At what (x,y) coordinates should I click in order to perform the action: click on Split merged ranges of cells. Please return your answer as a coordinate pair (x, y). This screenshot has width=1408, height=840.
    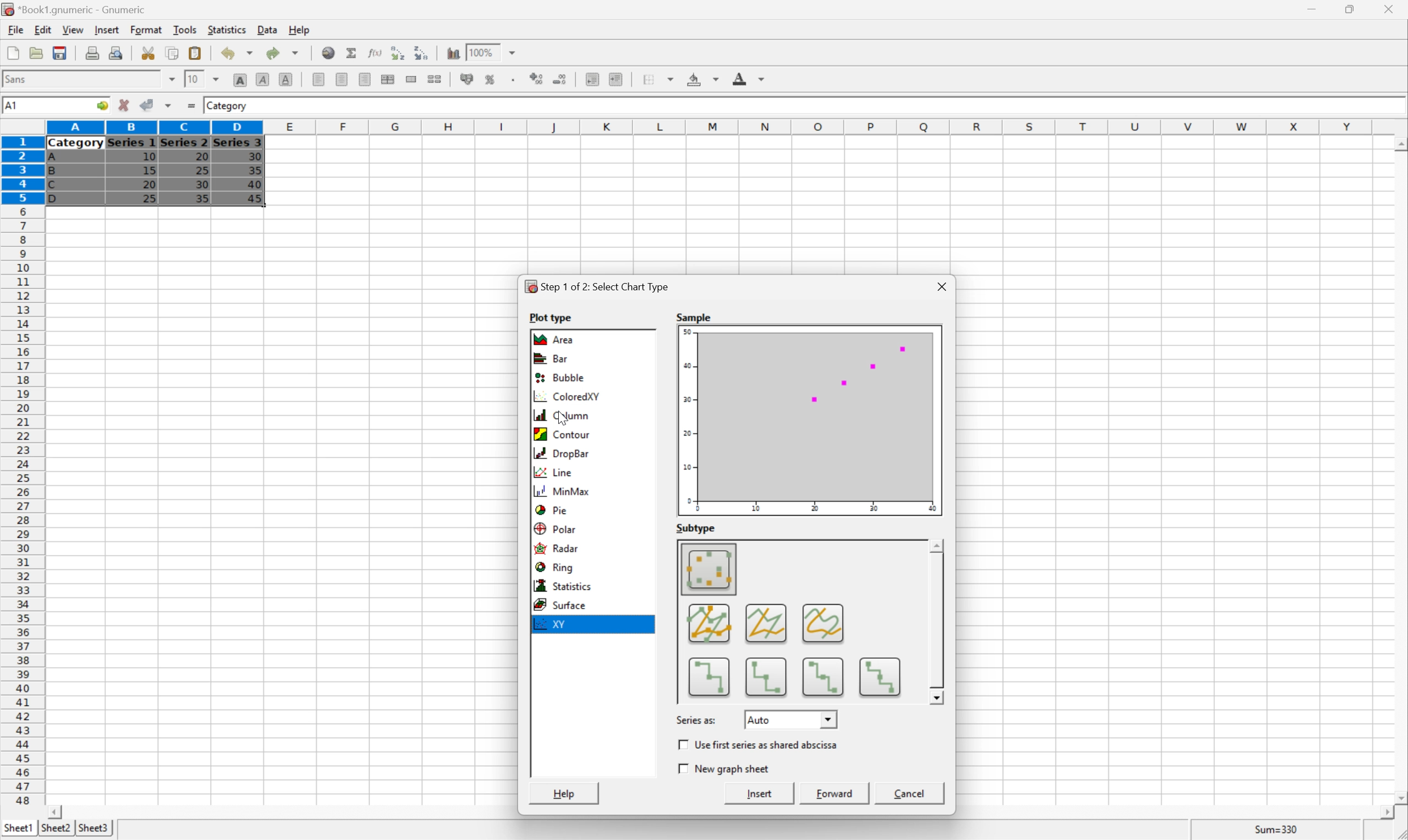
    Looking at the image, I should click on (435, 79).